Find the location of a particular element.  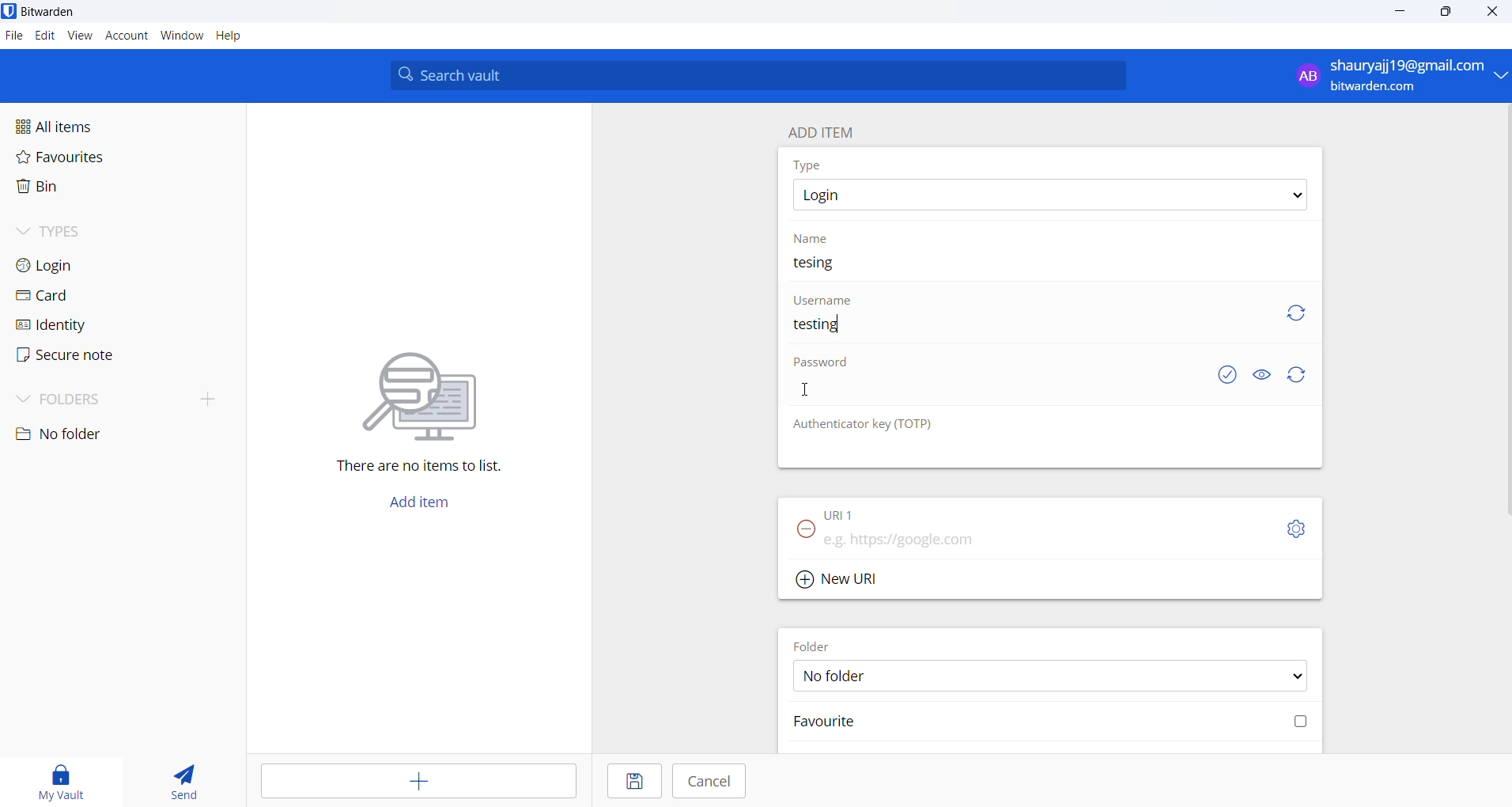

otp input box is located at coordinates (1045, 453).